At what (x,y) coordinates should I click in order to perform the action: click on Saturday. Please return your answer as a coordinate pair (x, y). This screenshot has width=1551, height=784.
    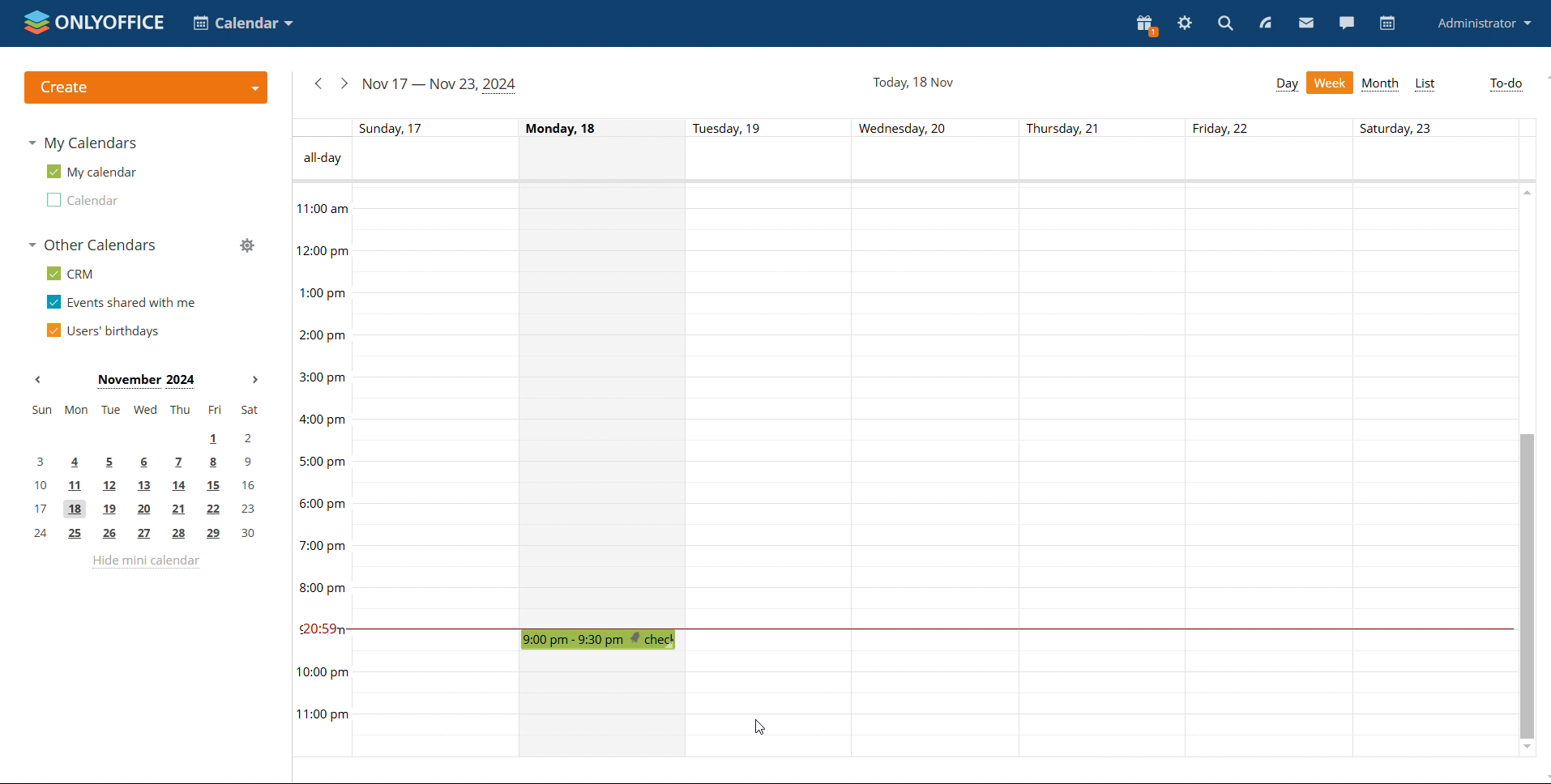
    Looking at the image, I should click on (1433, 471).